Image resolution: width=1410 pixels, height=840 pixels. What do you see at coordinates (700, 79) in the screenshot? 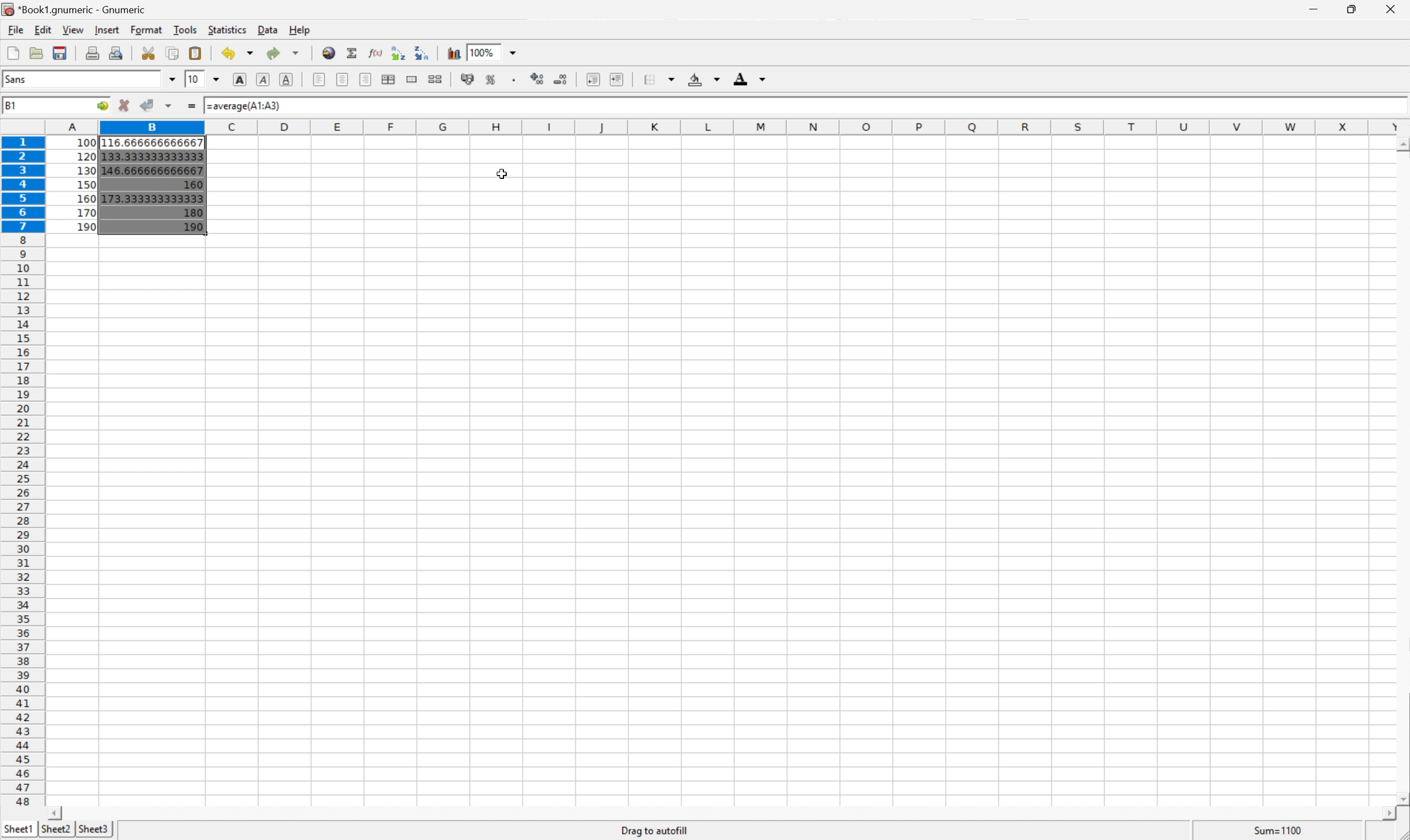
I see `Background` at bounding box center [700, 79].